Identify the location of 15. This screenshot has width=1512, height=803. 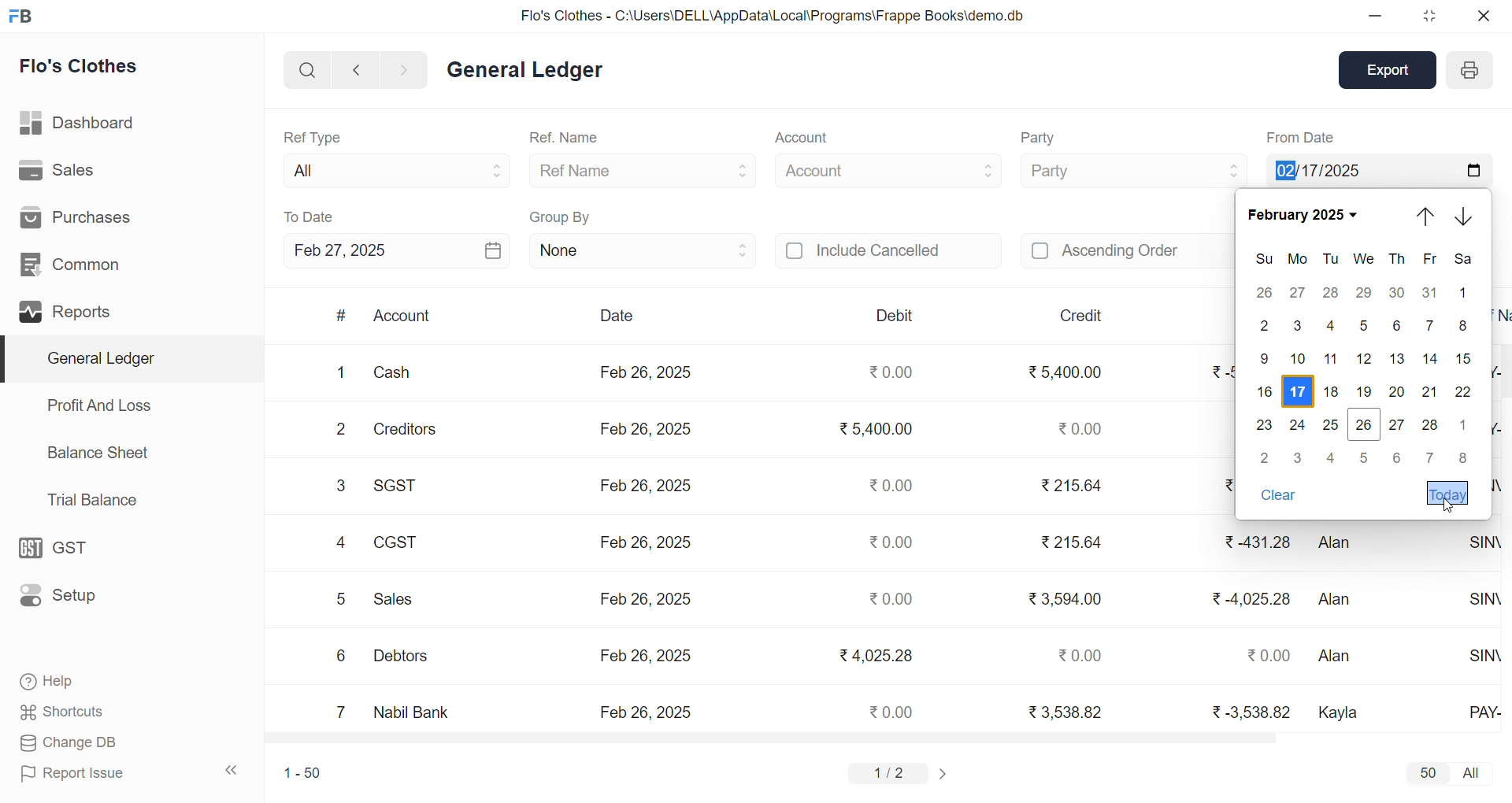
(1464, 358).